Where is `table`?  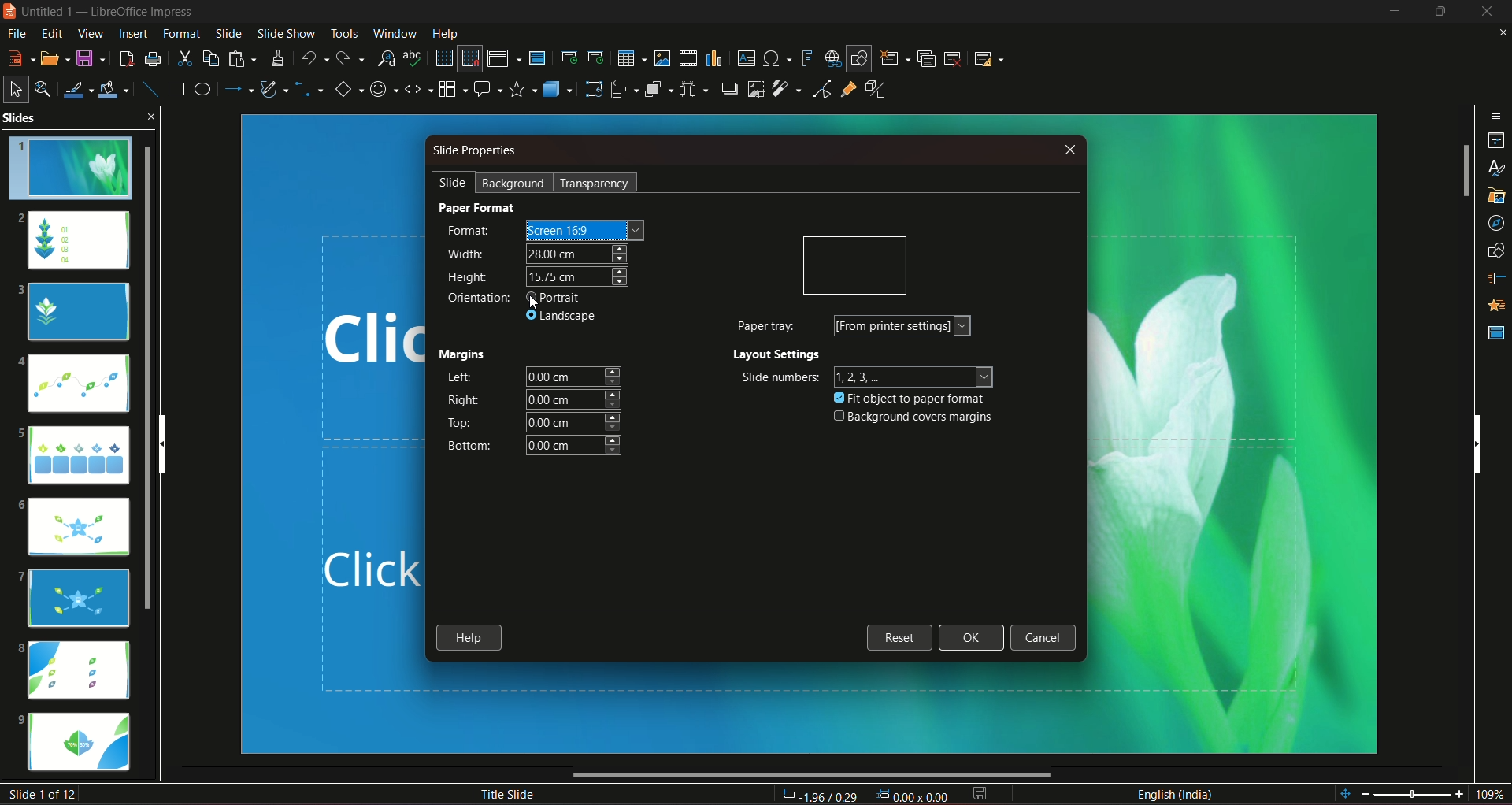
table is located at coordinates (629, 57).